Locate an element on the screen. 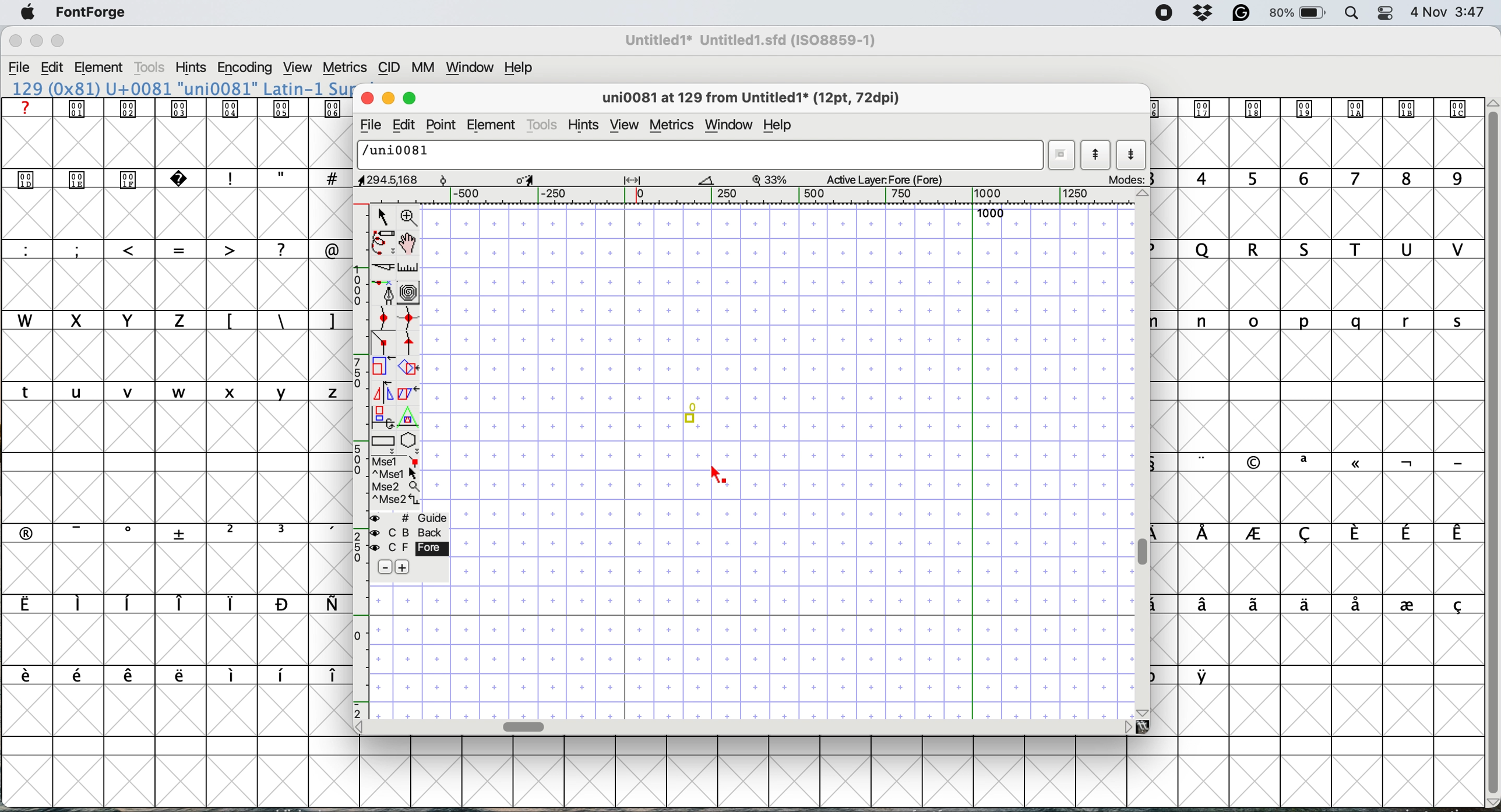 The height and width of the screenshot is (812, 1501). skew the selection is located at coordinates (409, 391).